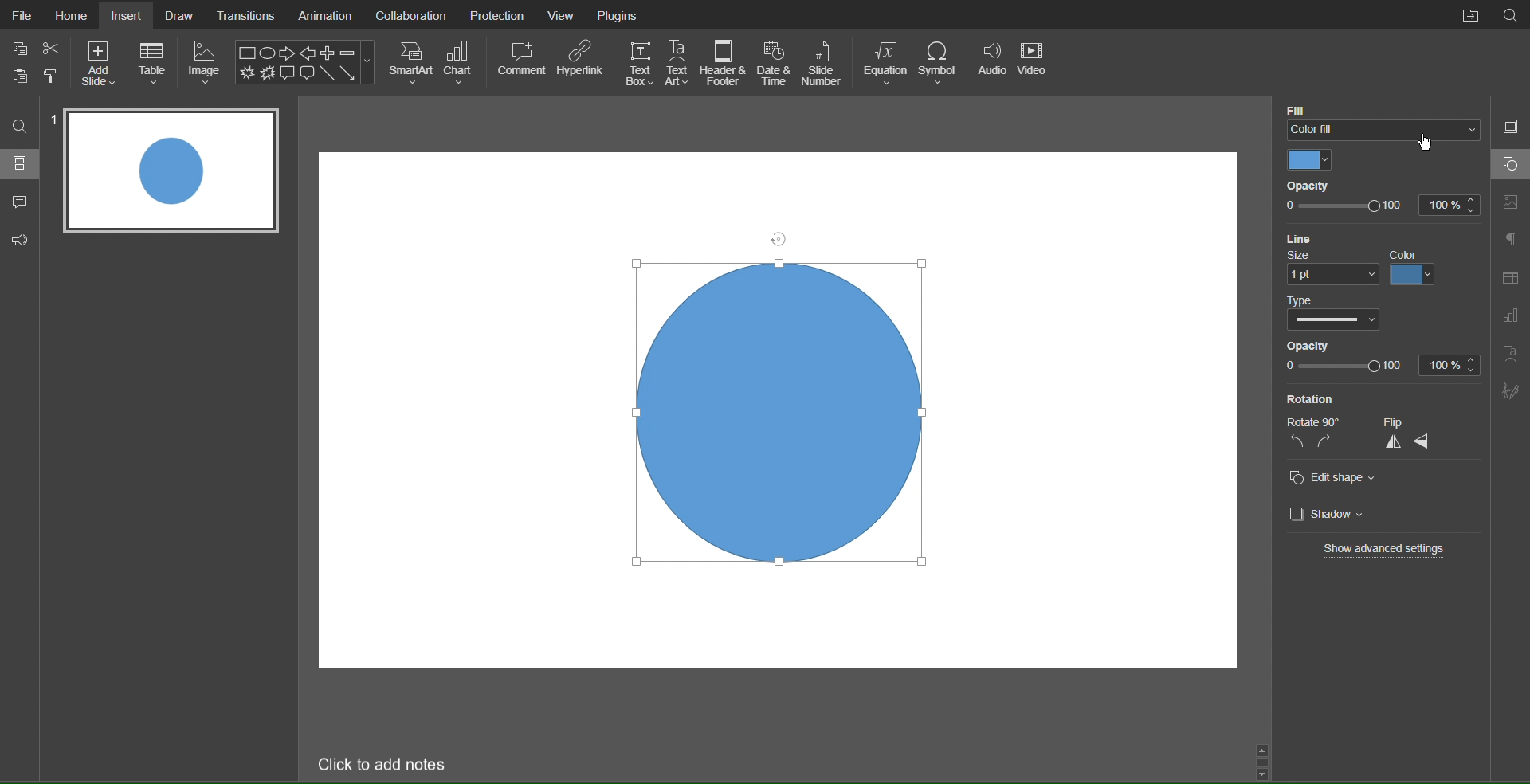  Describe the element at coordinates (1332, 479) in the screenshot. I see `Edit Shape` at that location.